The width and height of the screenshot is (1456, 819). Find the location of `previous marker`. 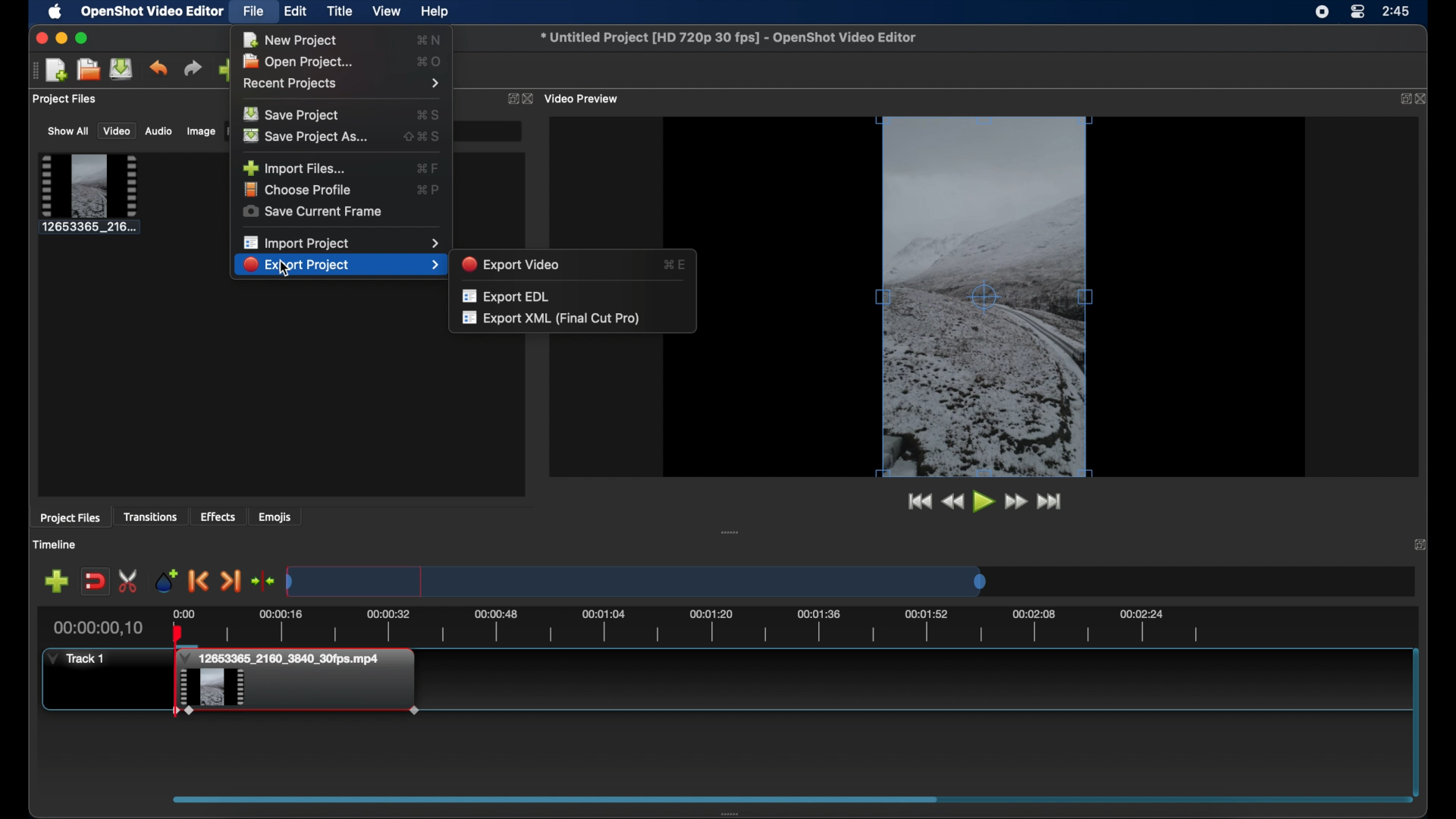

previous marker is located at coordinates (199, 581).